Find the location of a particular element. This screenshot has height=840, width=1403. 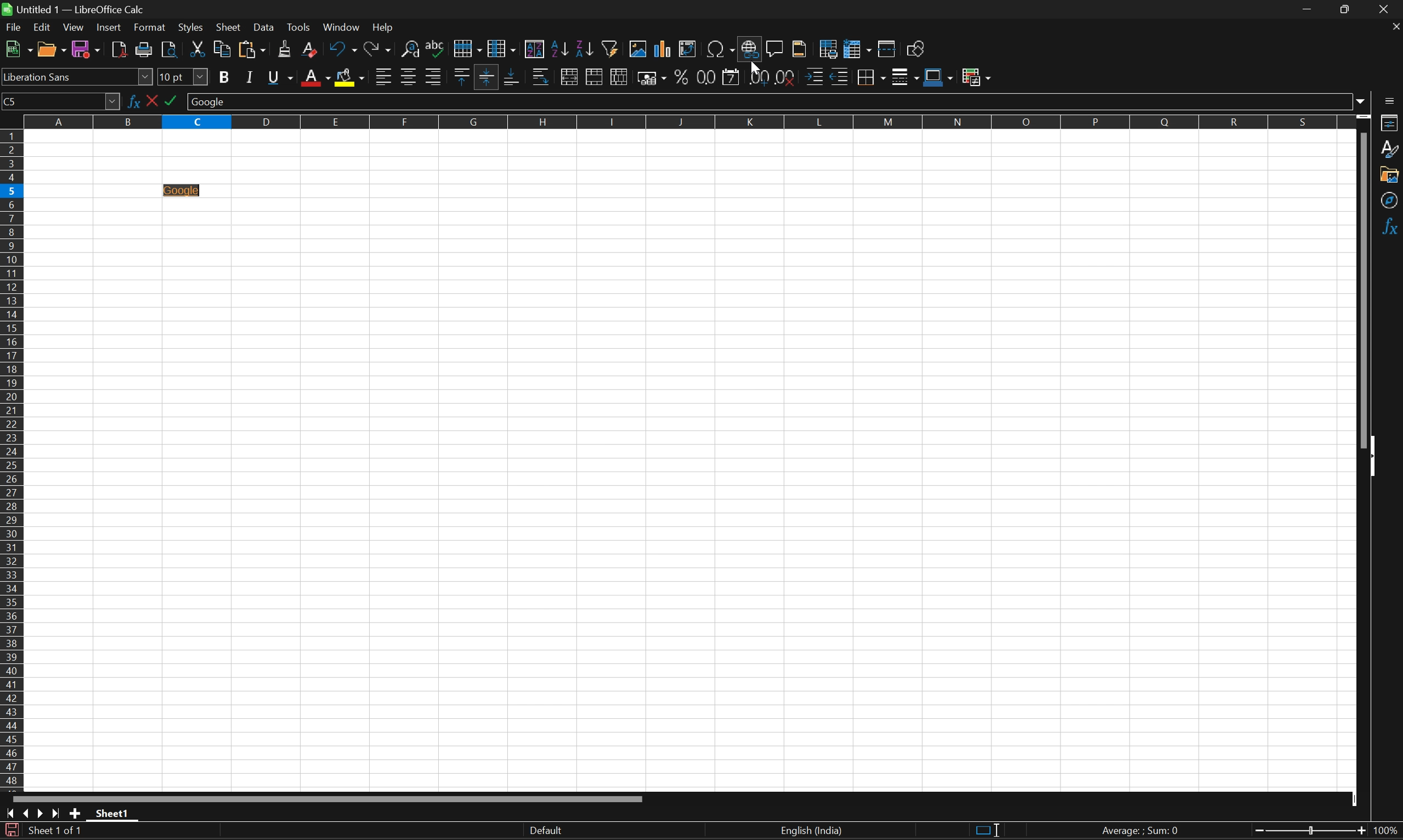

Help is located at coordinates (384, 27).